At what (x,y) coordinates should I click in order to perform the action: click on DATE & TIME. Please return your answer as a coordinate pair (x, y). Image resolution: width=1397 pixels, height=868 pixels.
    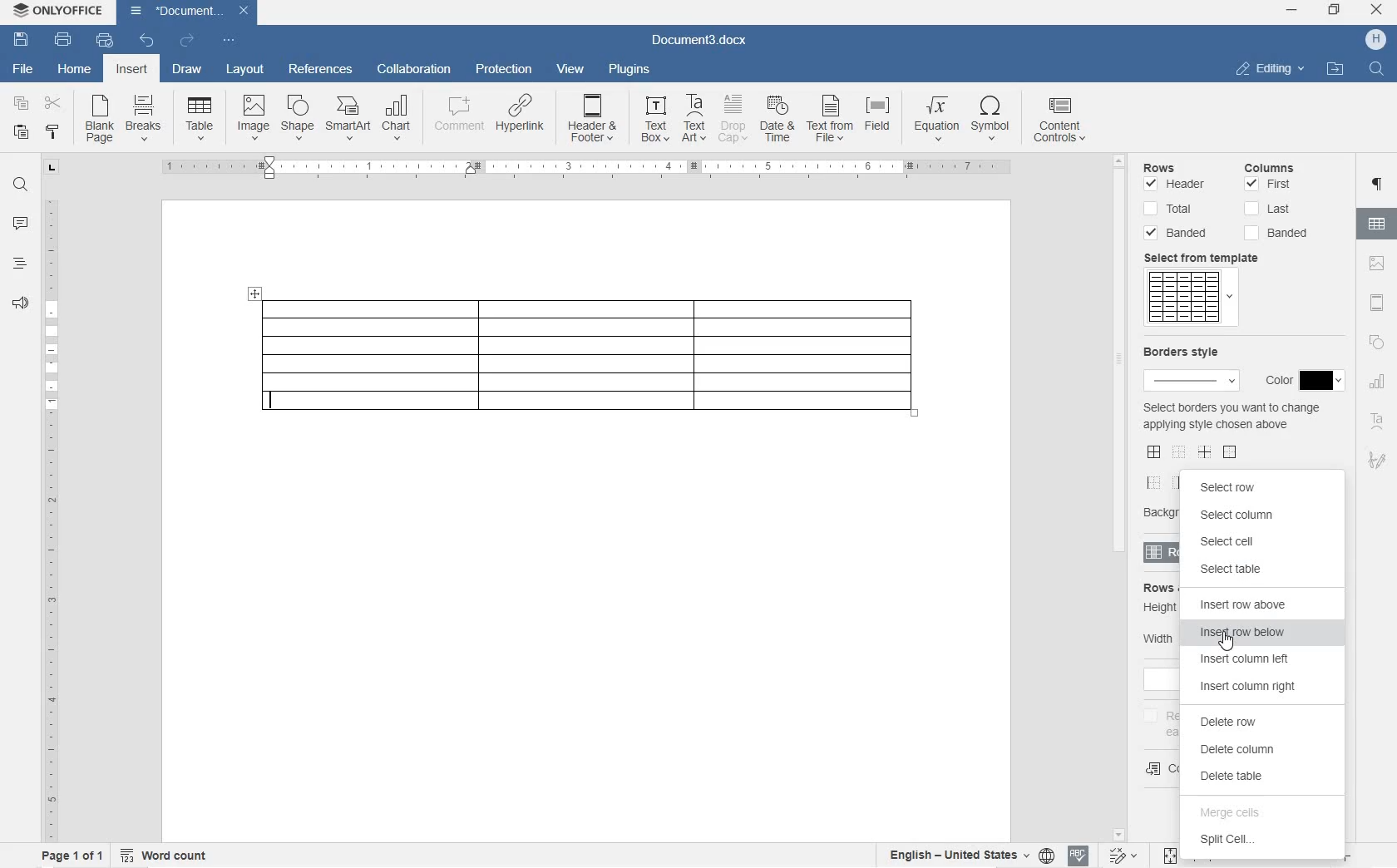
    Looking at the image, I should click on (778, 120).